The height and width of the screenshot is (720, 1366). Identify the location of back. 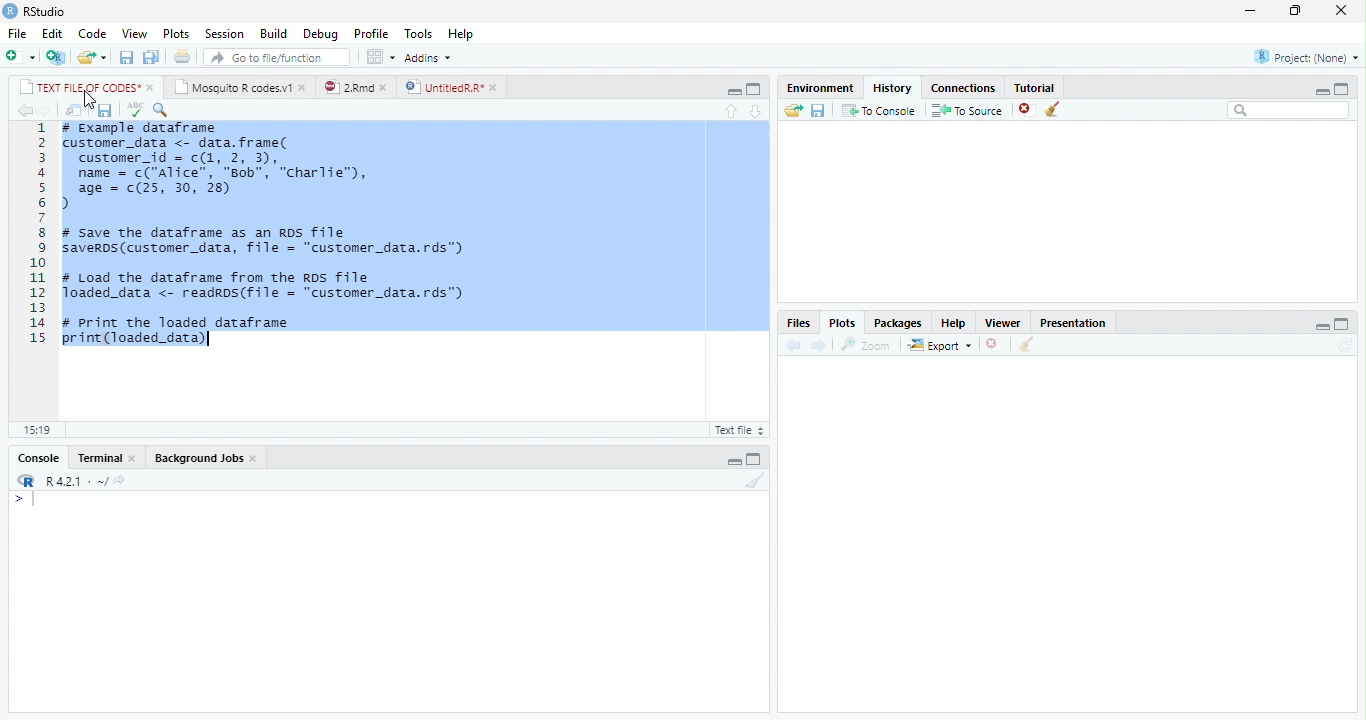
(26, 111).